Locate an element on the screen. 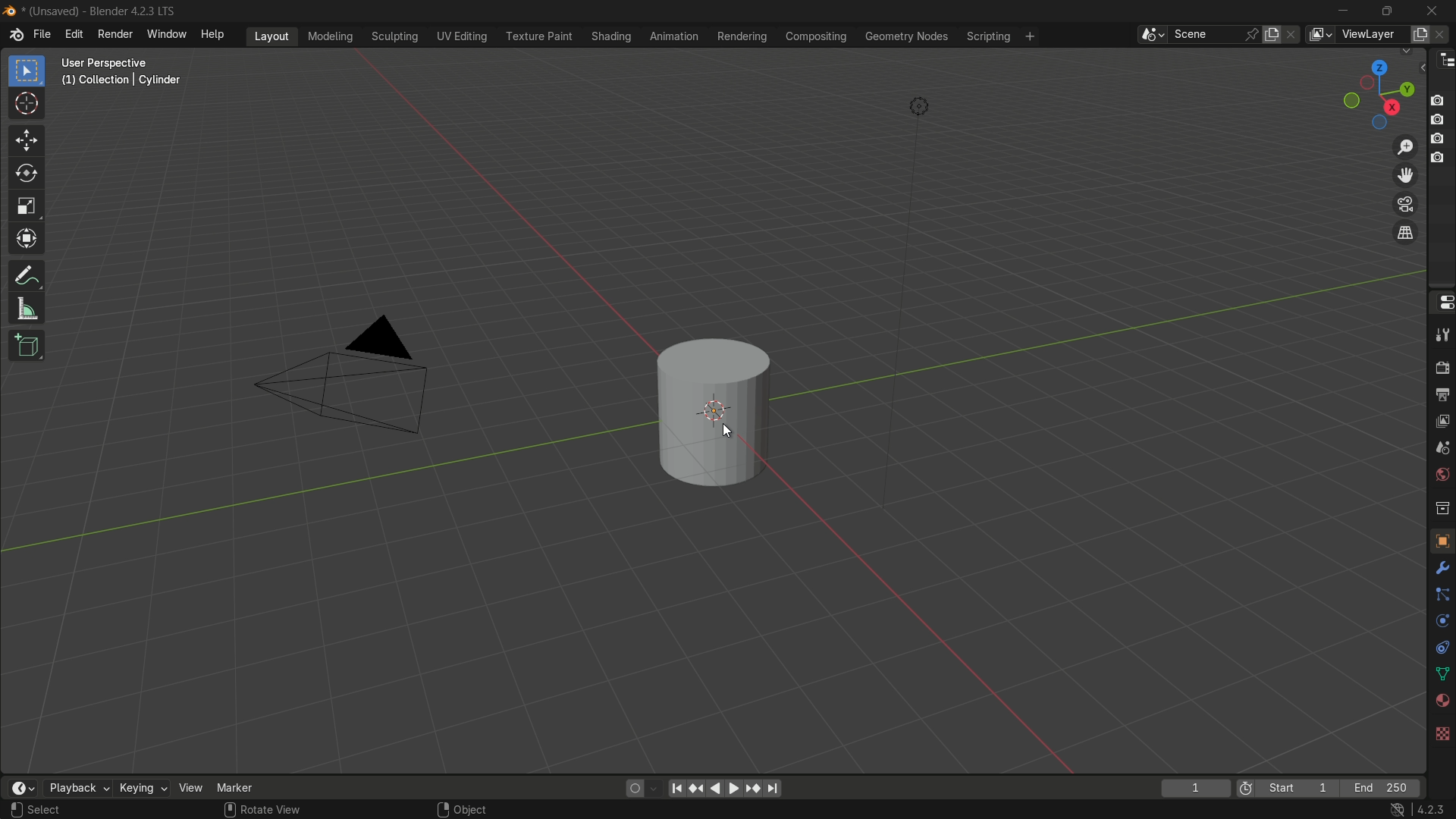 This screenshot has height=819, width=1456. layer 4 is located at coordinates (1439, 157).